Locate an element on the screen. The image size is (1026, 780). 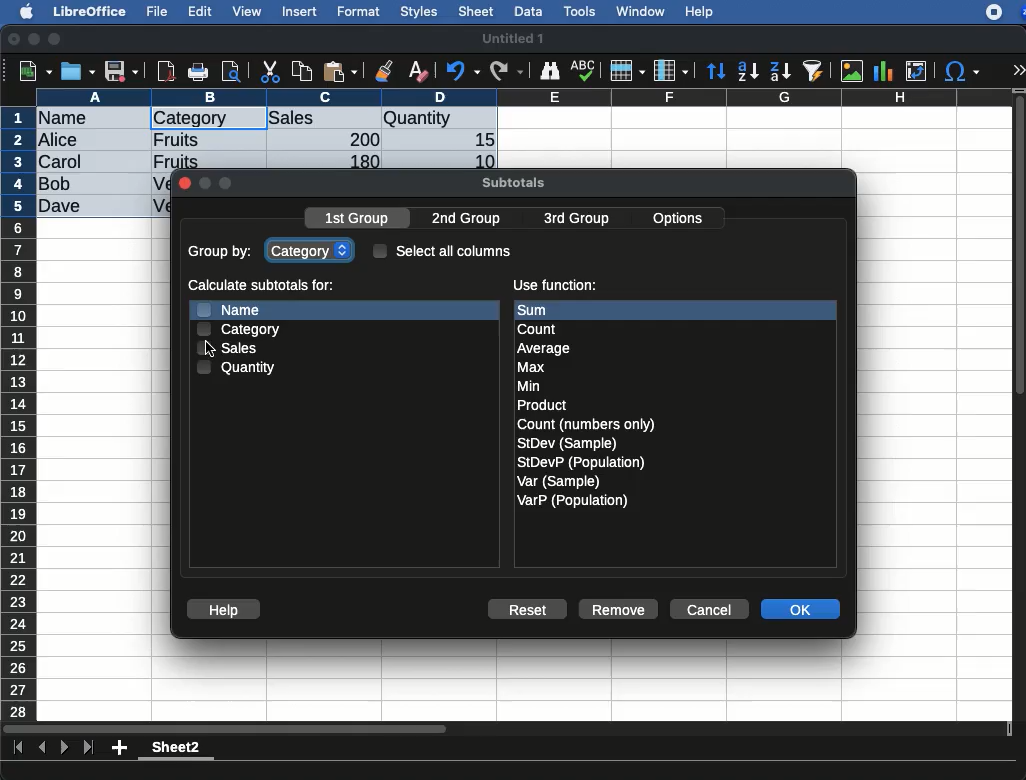
window is located at coordinates (638, 11).